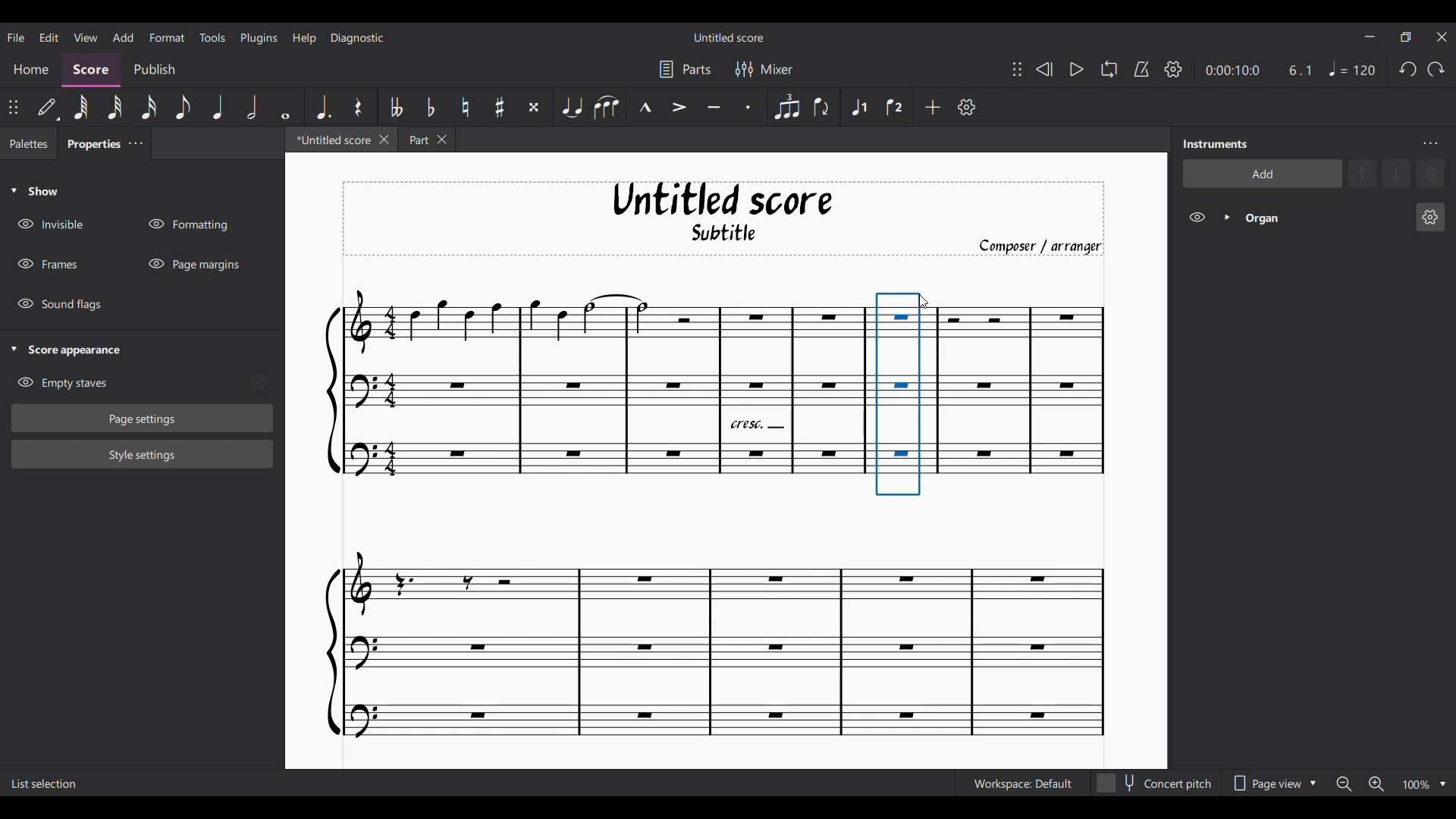 This screenshot has height=819, width=1456. Describe the element at coordinates (34, 190) in the screenshot. I see `Collapse Show` at that location.